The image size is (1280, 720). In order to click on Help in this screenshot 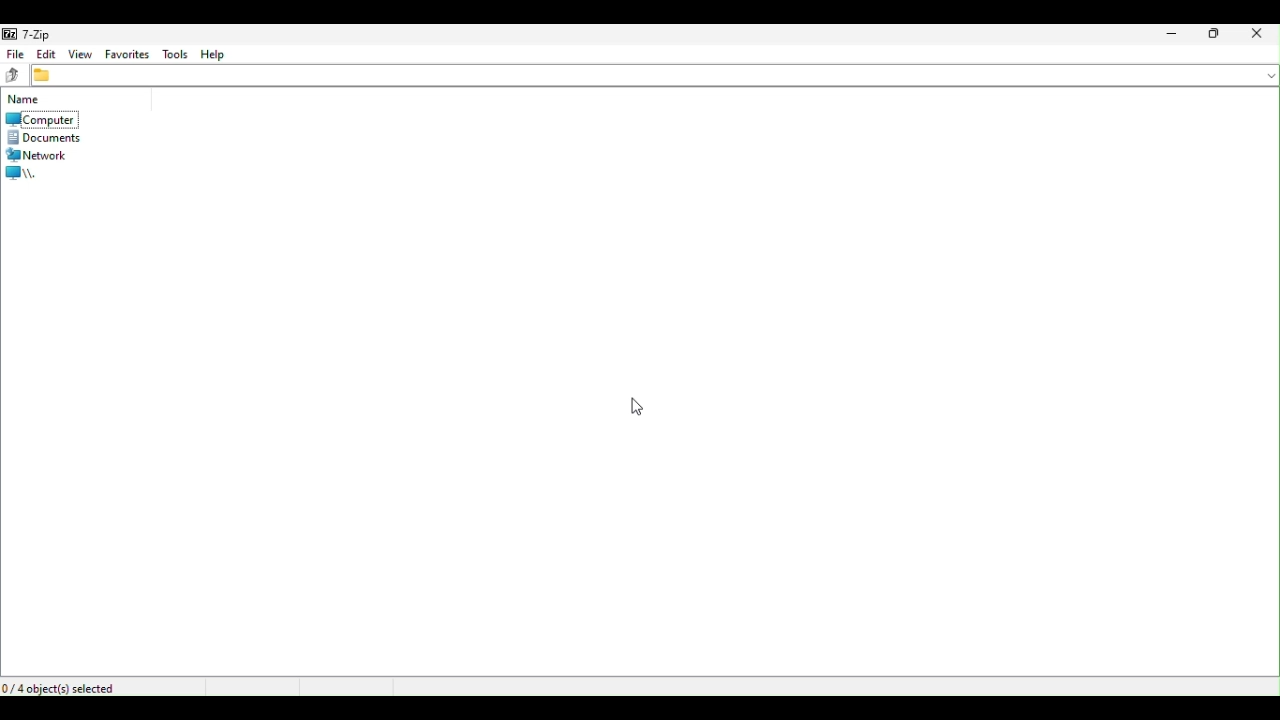, I will do `click(223, 53)`.